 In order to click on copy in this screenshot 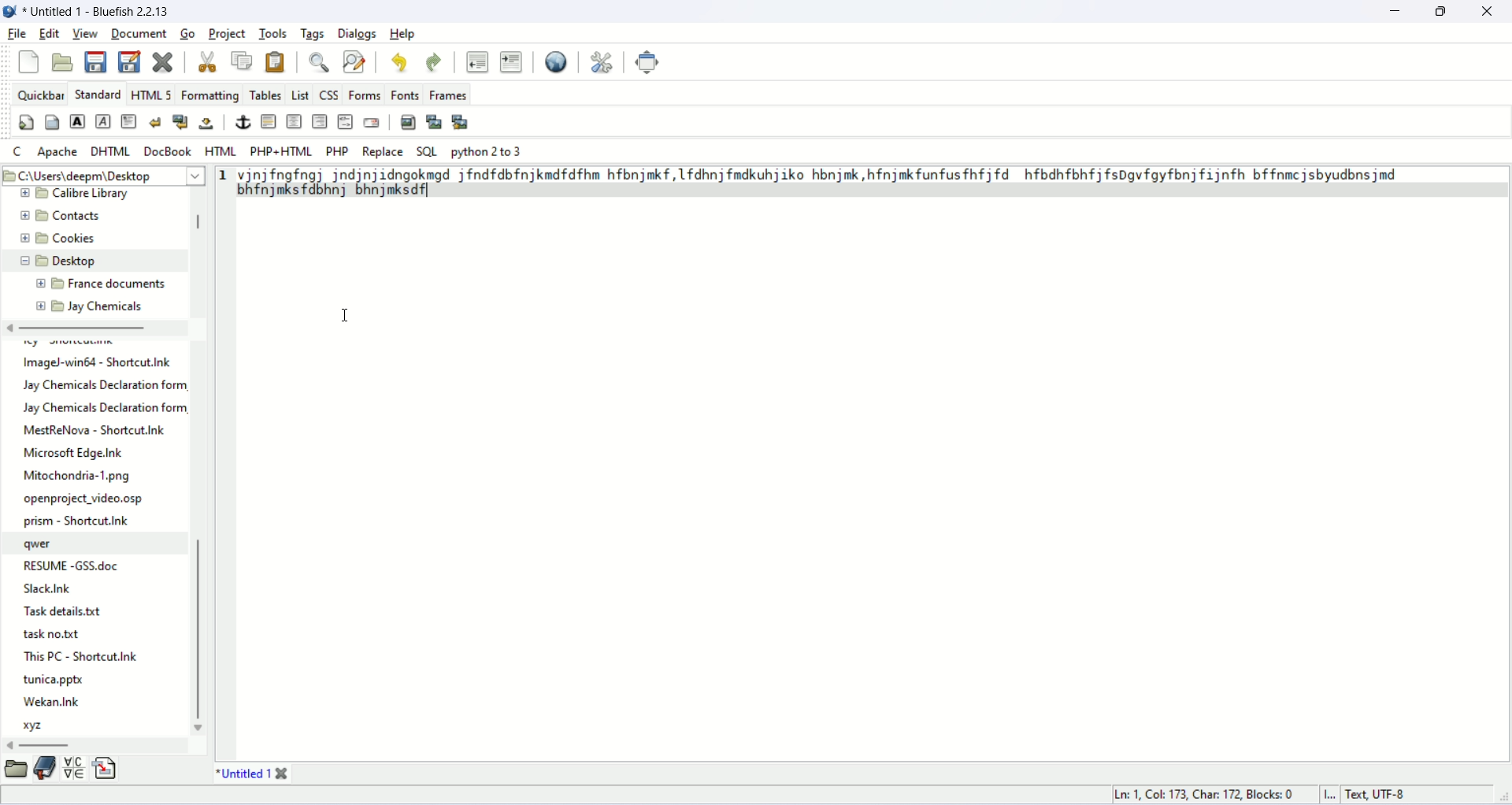, I will do `click(242, 61)`.